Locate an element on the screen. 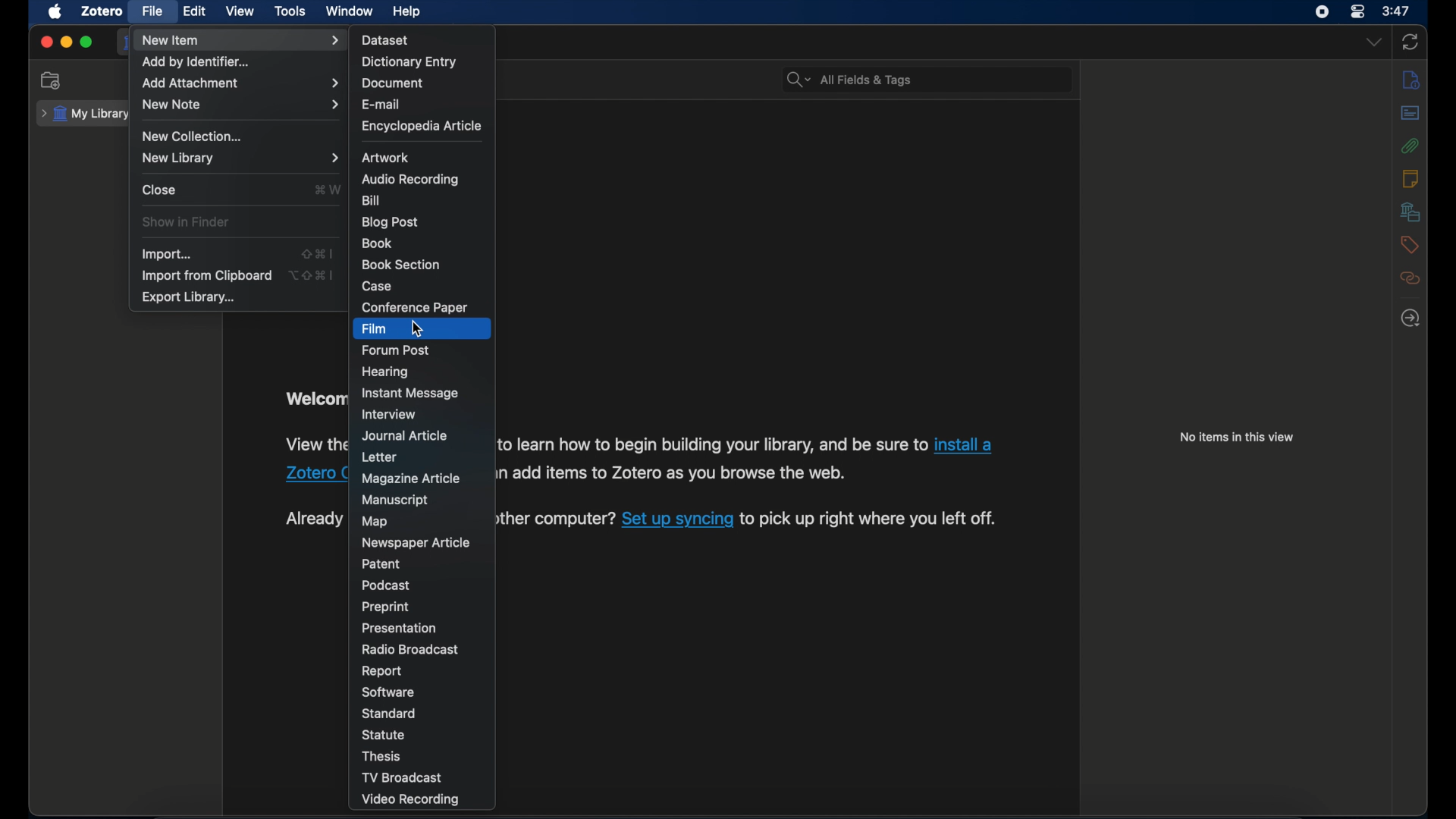 The height and width of the screenshot is (819, 1456). new collection is located at coordinates (195, 137).